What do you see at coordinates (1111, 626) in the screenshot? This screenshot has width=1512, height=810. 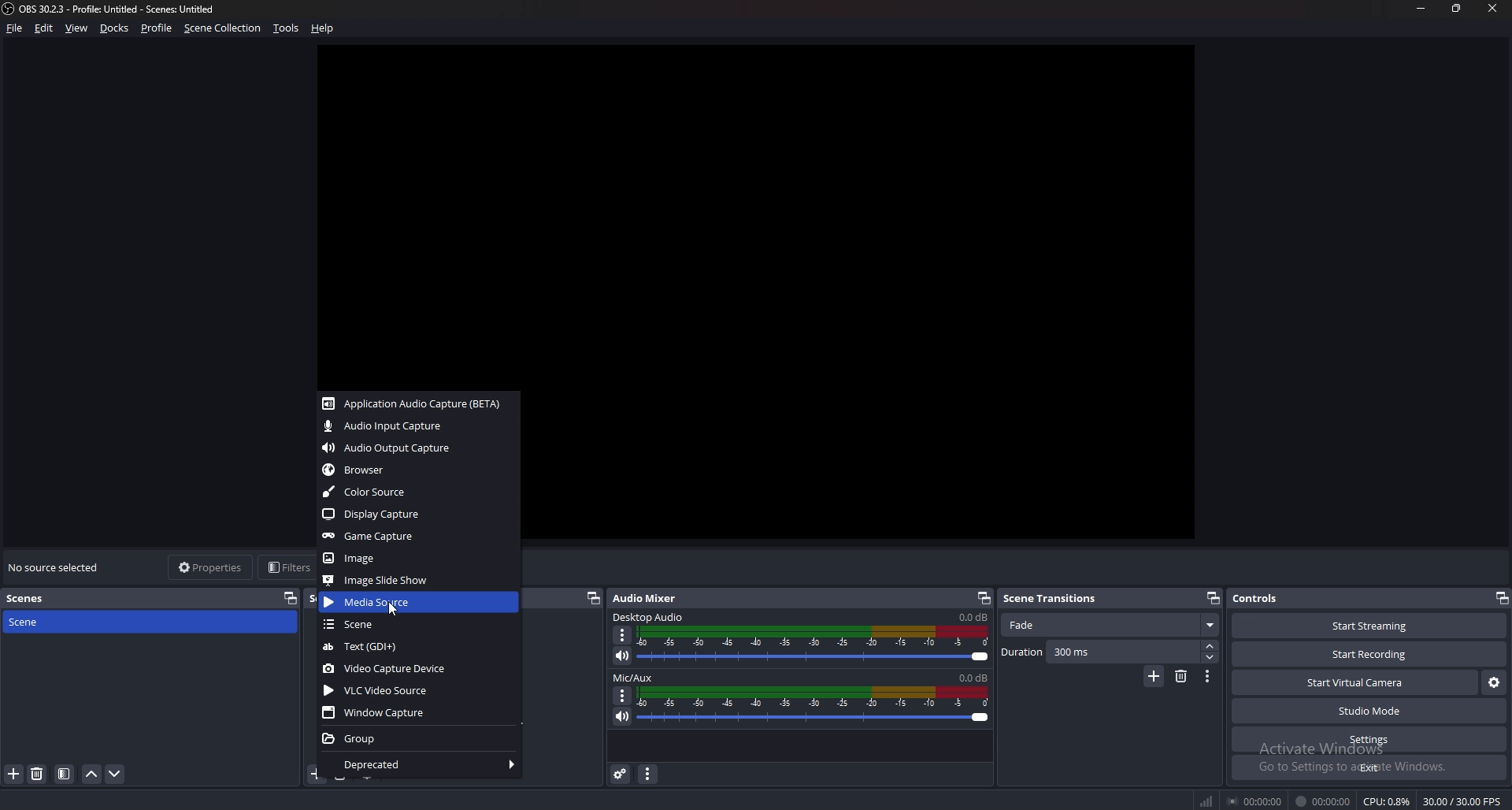 I see `fade` at bounding box center [1111, 626].